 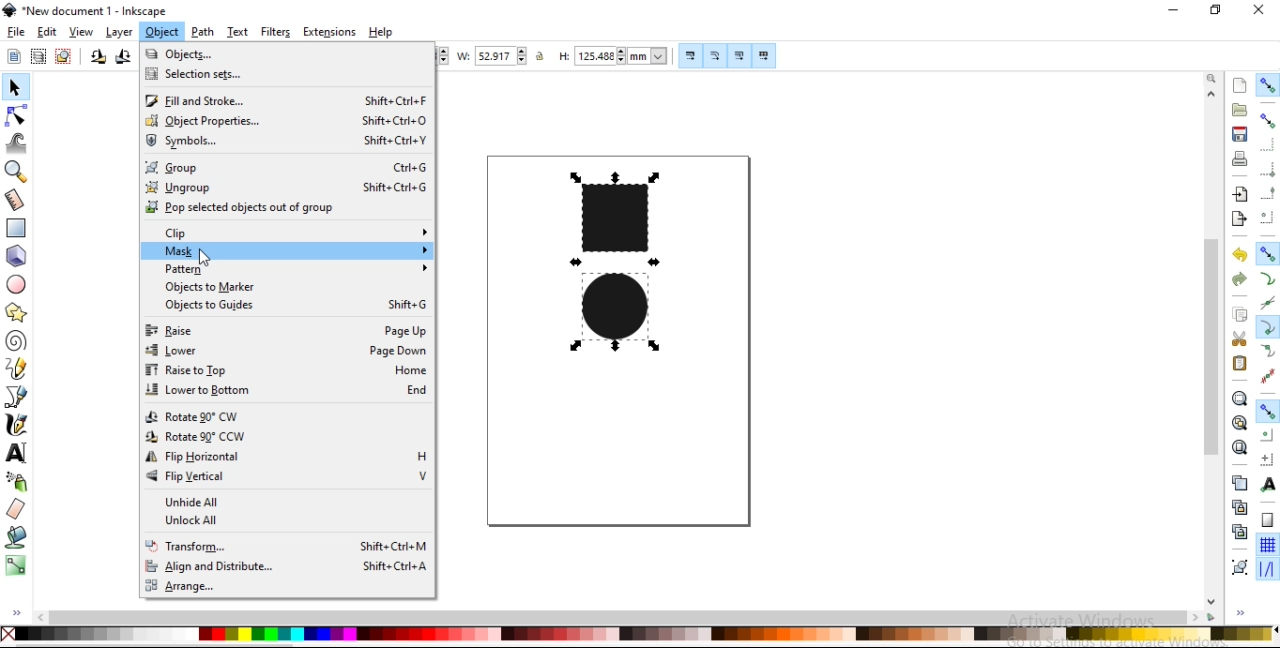 I want to click on rotate 90 clockwise, so click(x=122, y=58).